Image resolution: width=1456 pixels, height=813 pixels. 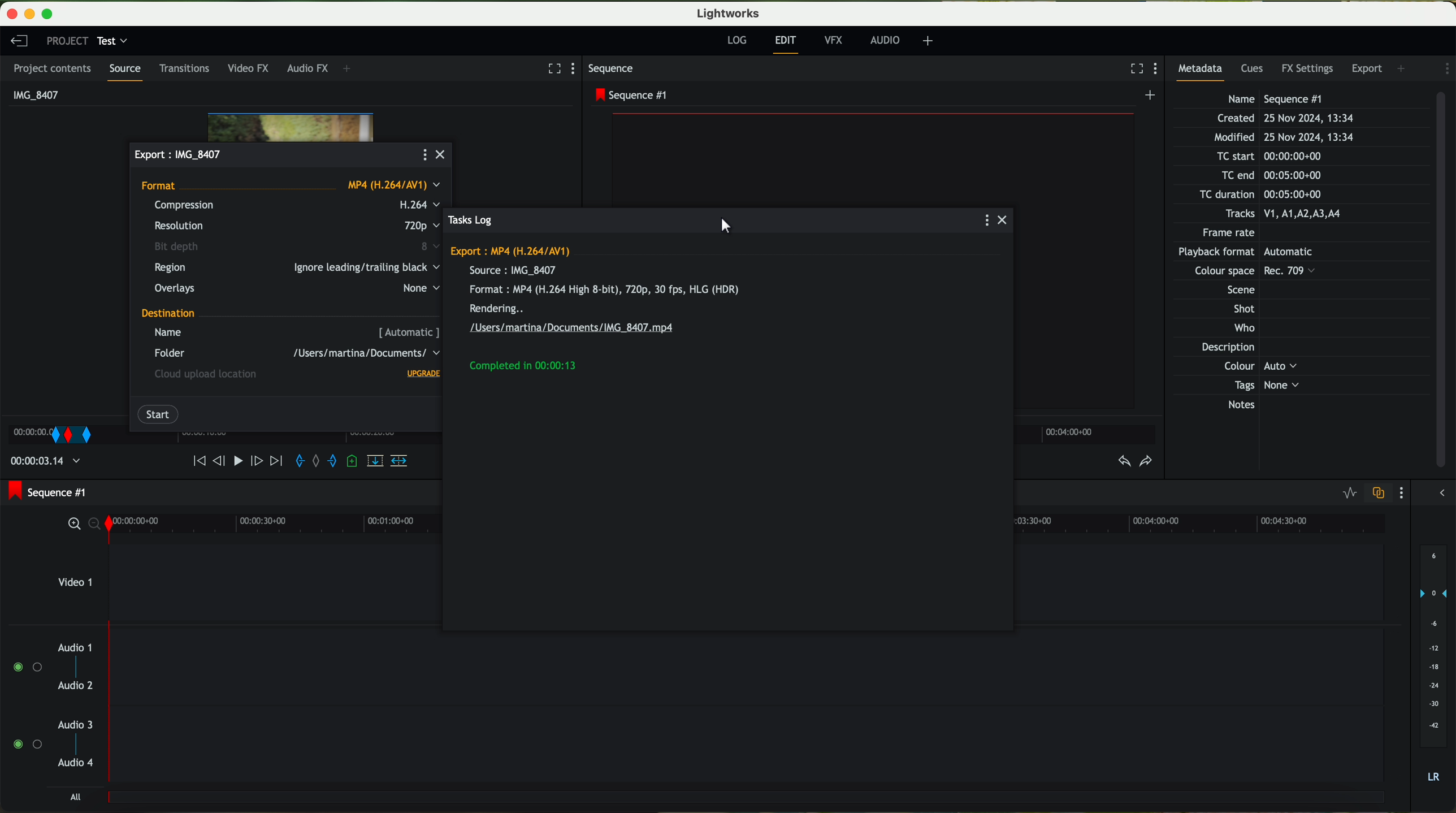 What do you see at coordinates (54, 435) in the screenshot?
I see `right click` at bounding box center [54, 435].